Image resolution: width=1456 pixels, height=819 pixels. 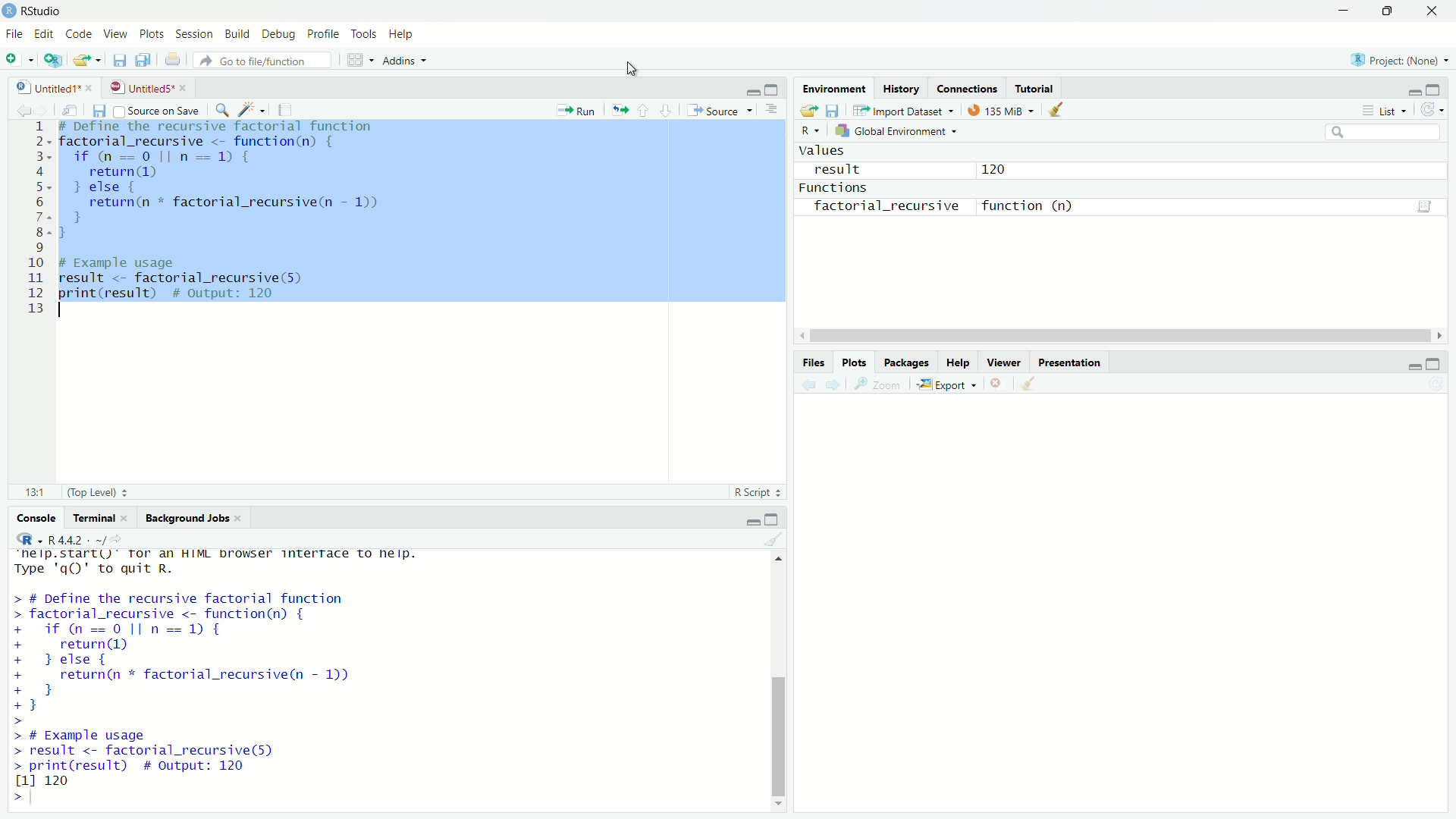 I want to click on Scrollbar, so click(x=781, y=695).